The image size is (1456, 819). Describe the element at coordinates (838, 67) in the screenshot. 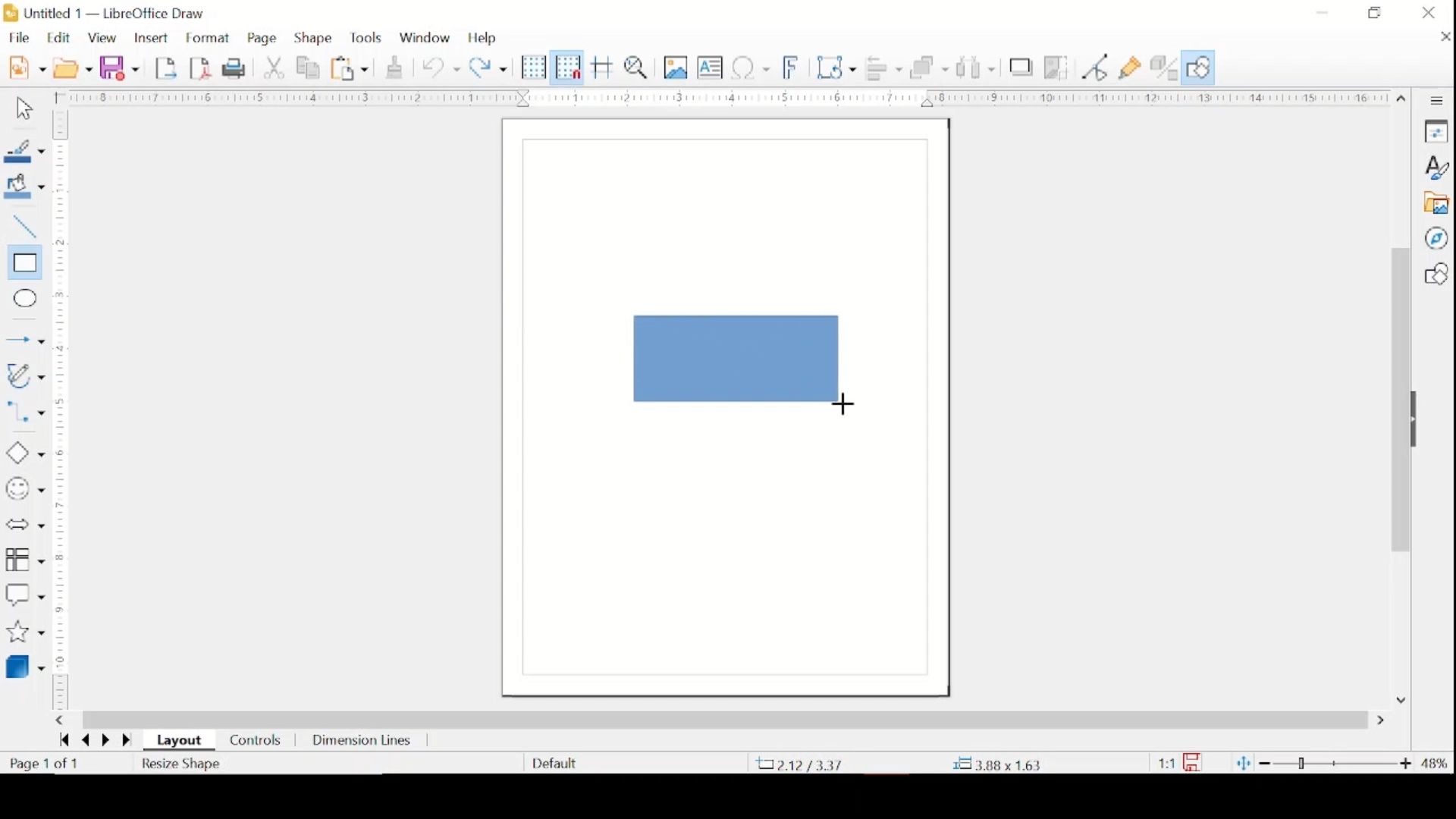

I see `transformations` at that location.